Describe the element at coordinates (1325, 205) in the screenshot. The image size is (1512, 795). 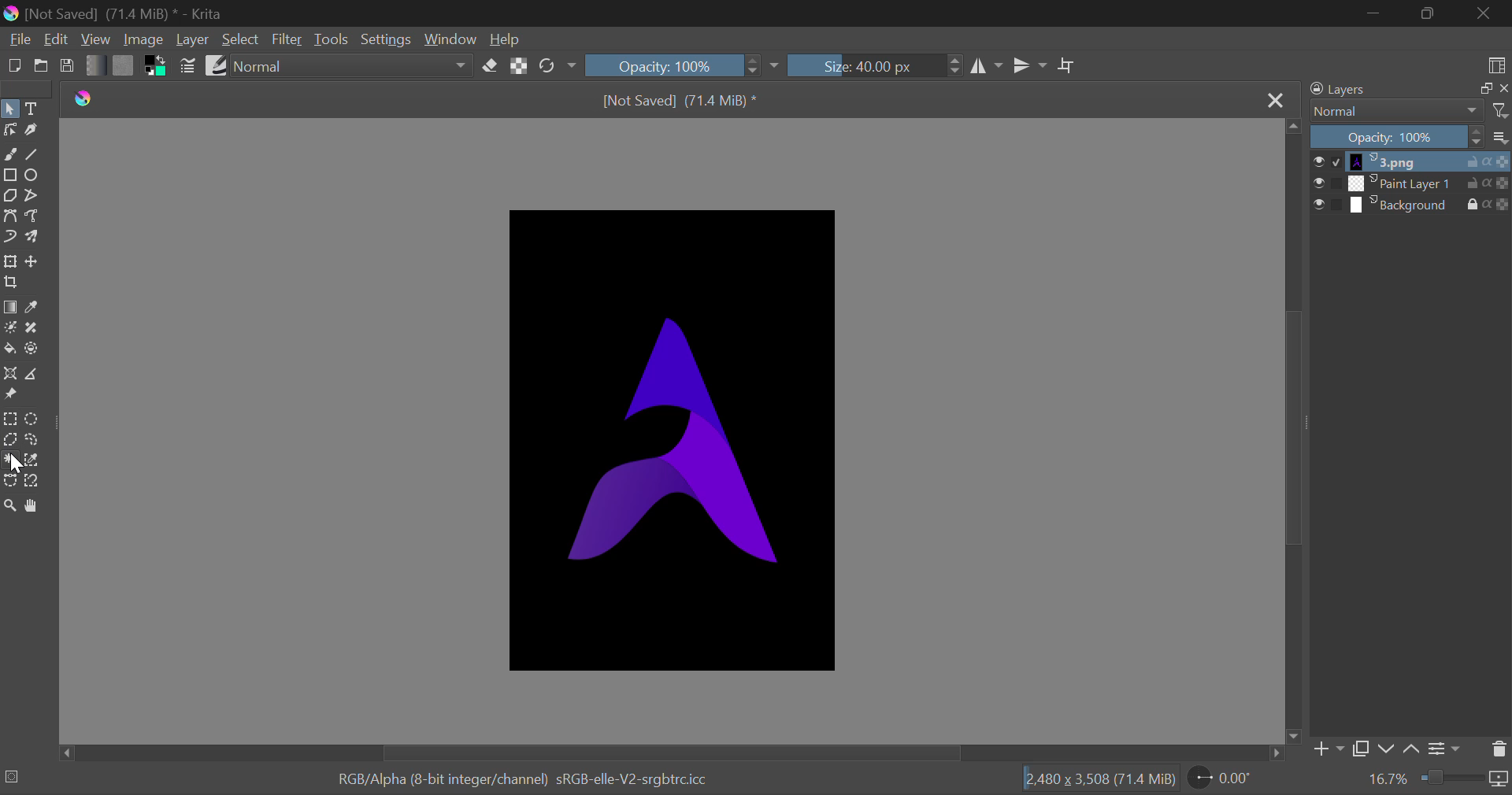
I see `checkbox` at that location.